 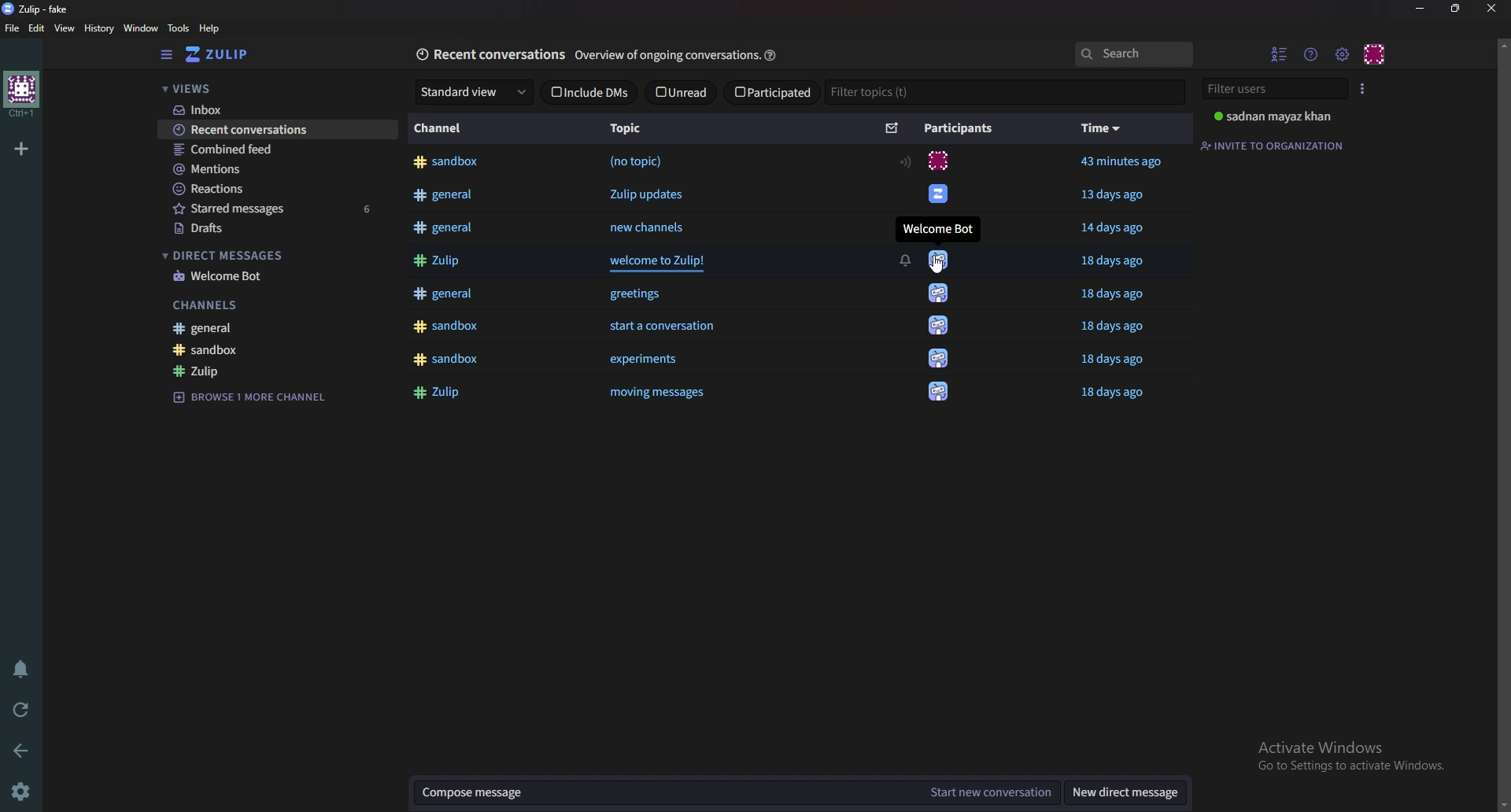 I want to click on icon, so click(x=943, y=260).